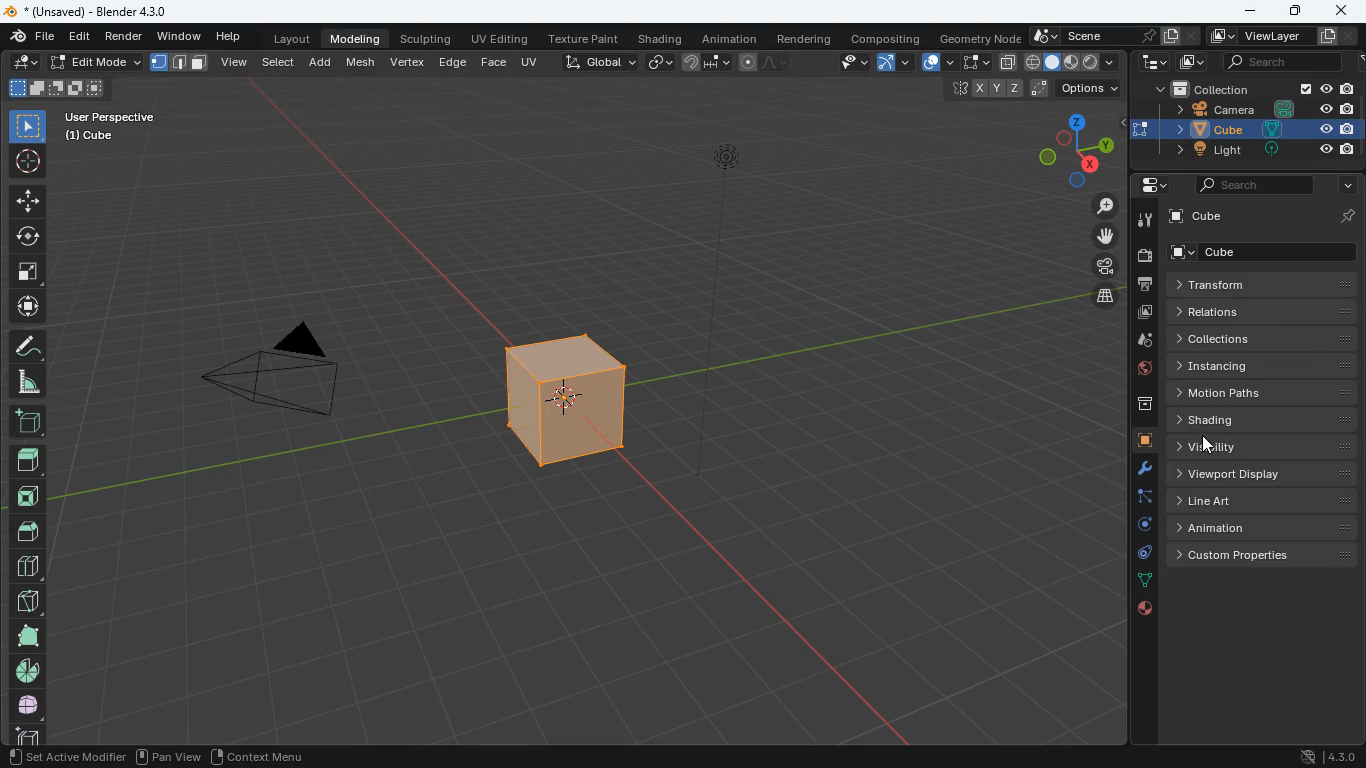 The height and width of the screenshot is (768, 1366). I want to click on view, so click(235, 63).